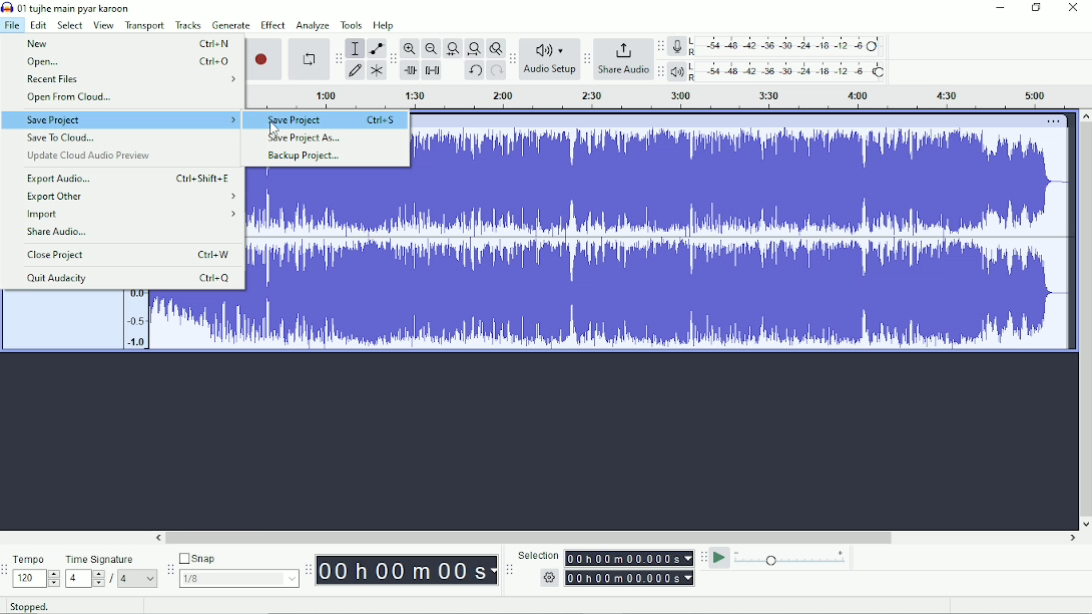 The width and height of the screenshot is (1092, 614). Describe the element at coordinates (65, 138) in the screenshot. I see `Save To Cloud` at that location.